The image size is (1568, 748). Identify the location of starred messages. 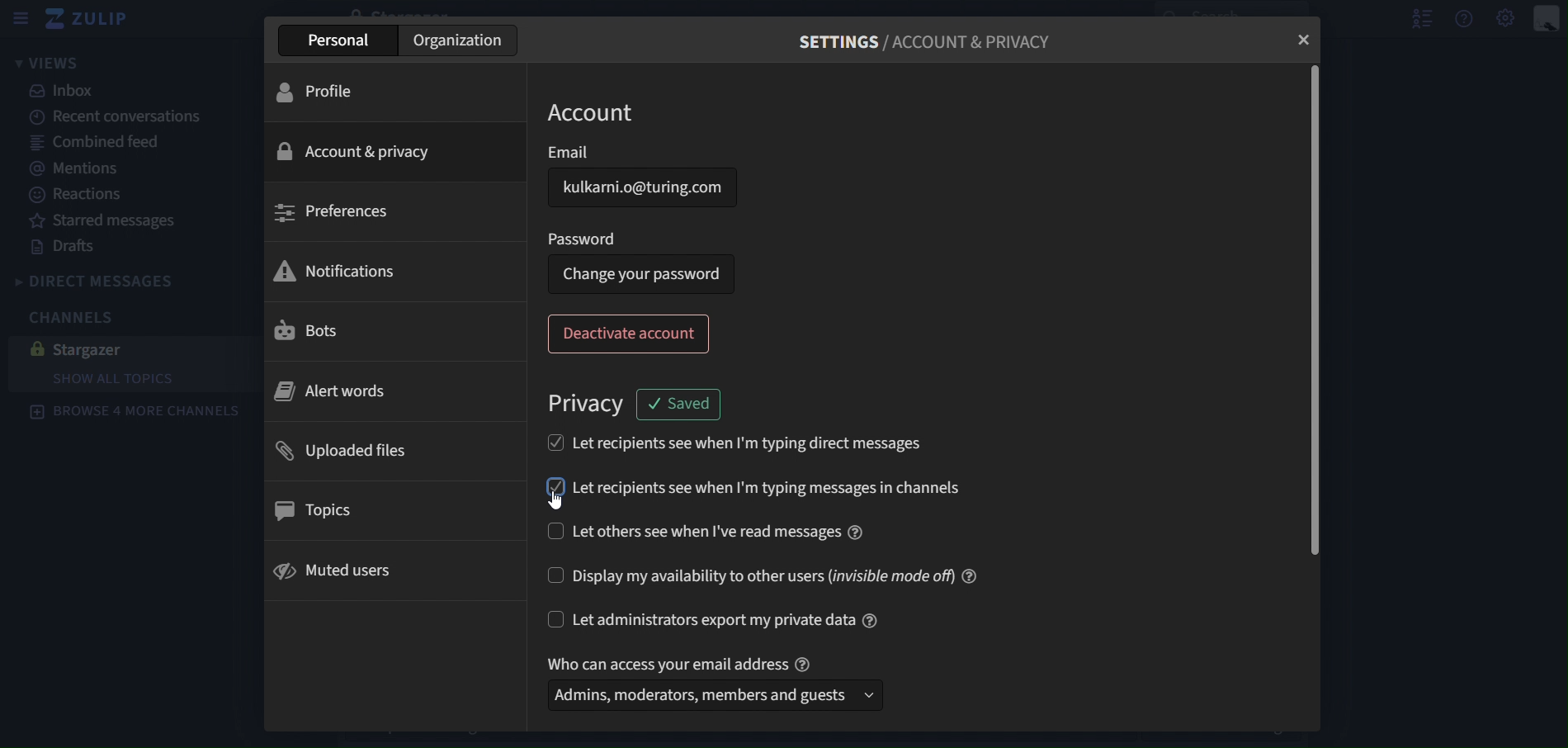
(117, 222).